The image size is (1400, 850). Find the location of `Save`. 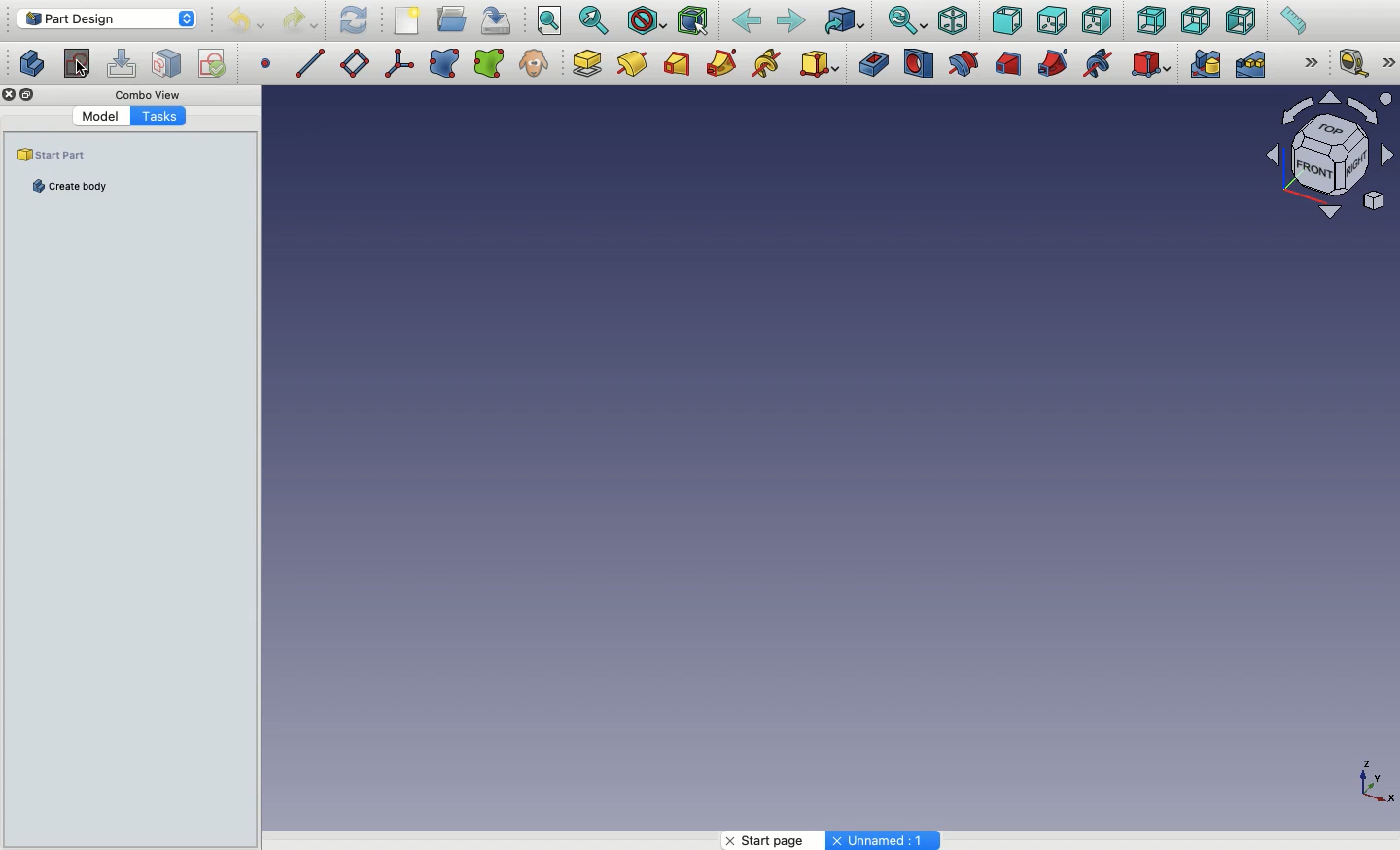

Save is located at coordinates (494, 18).